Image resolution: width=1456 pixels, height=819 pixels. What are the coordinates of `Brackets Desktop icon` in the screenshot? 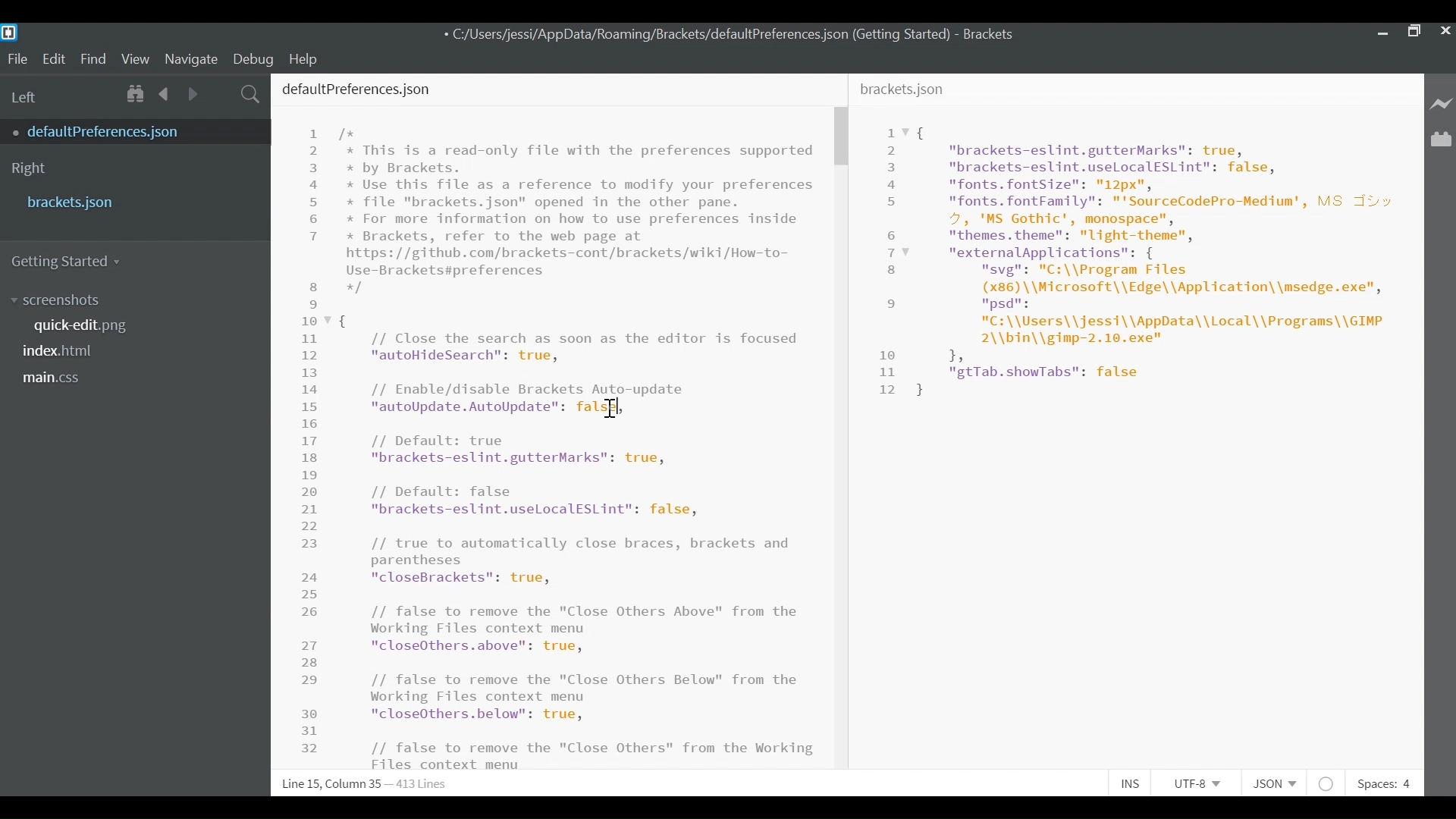 It's located at (14, 32).